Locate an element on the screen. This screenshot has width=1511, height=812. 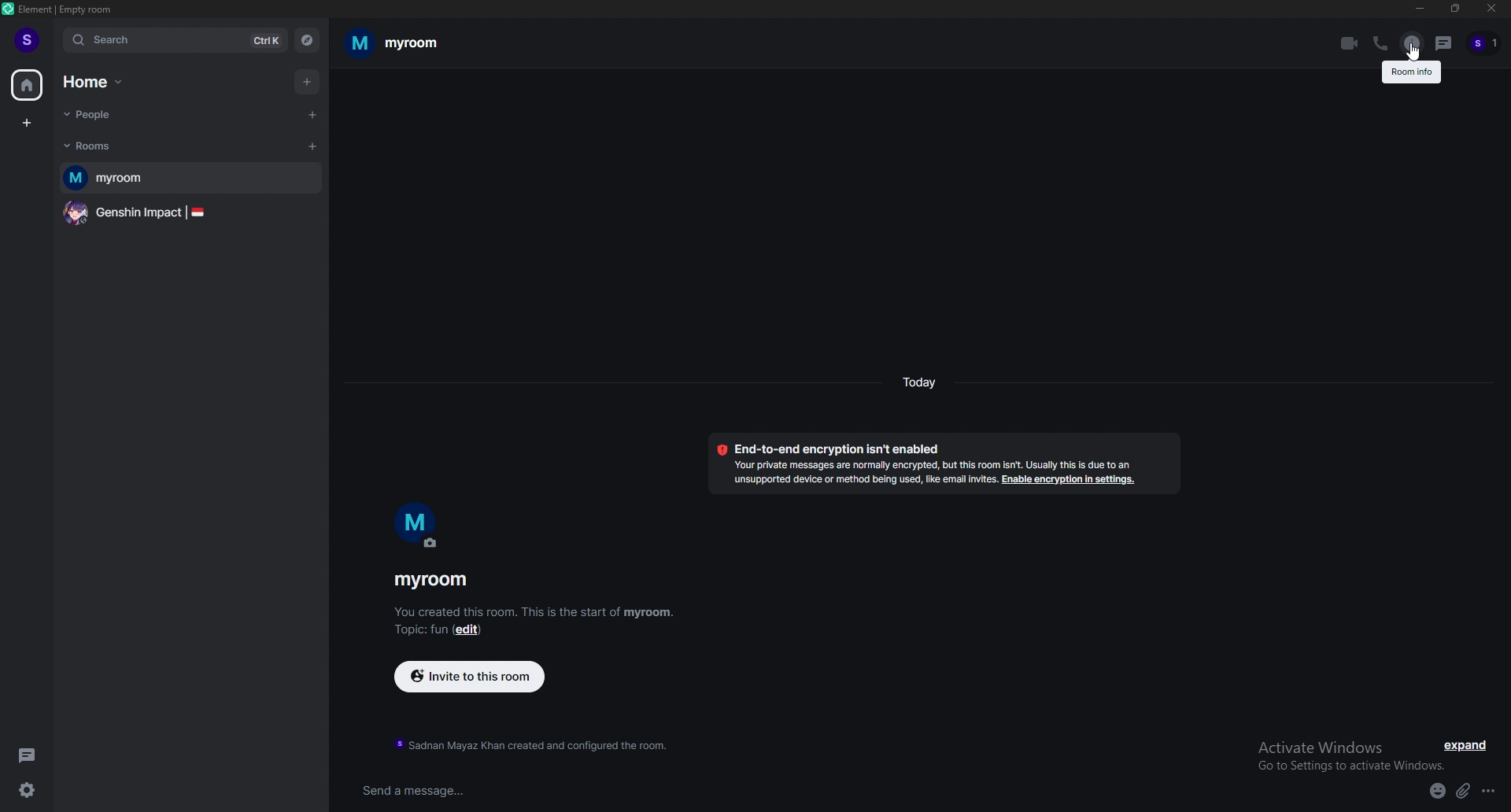
ctrl k is located at coordinates (260, 41).